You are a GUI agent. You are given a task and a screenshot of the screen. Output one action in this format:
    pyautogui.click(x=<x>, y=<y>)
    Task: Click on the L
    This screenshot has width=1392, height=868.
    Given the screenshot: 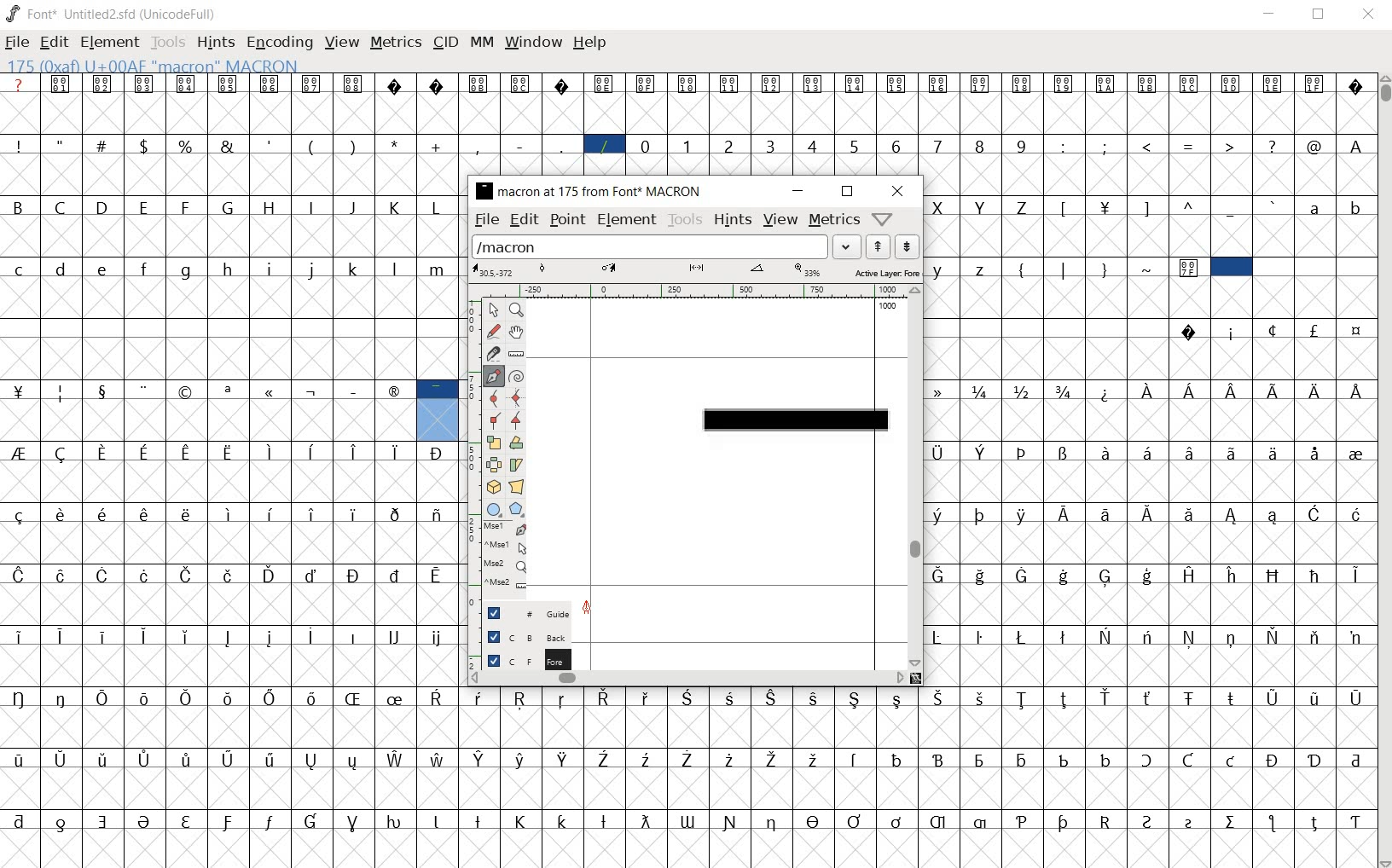 What is the action you would take?
    pyautogui.click(x=439, y=205)
    